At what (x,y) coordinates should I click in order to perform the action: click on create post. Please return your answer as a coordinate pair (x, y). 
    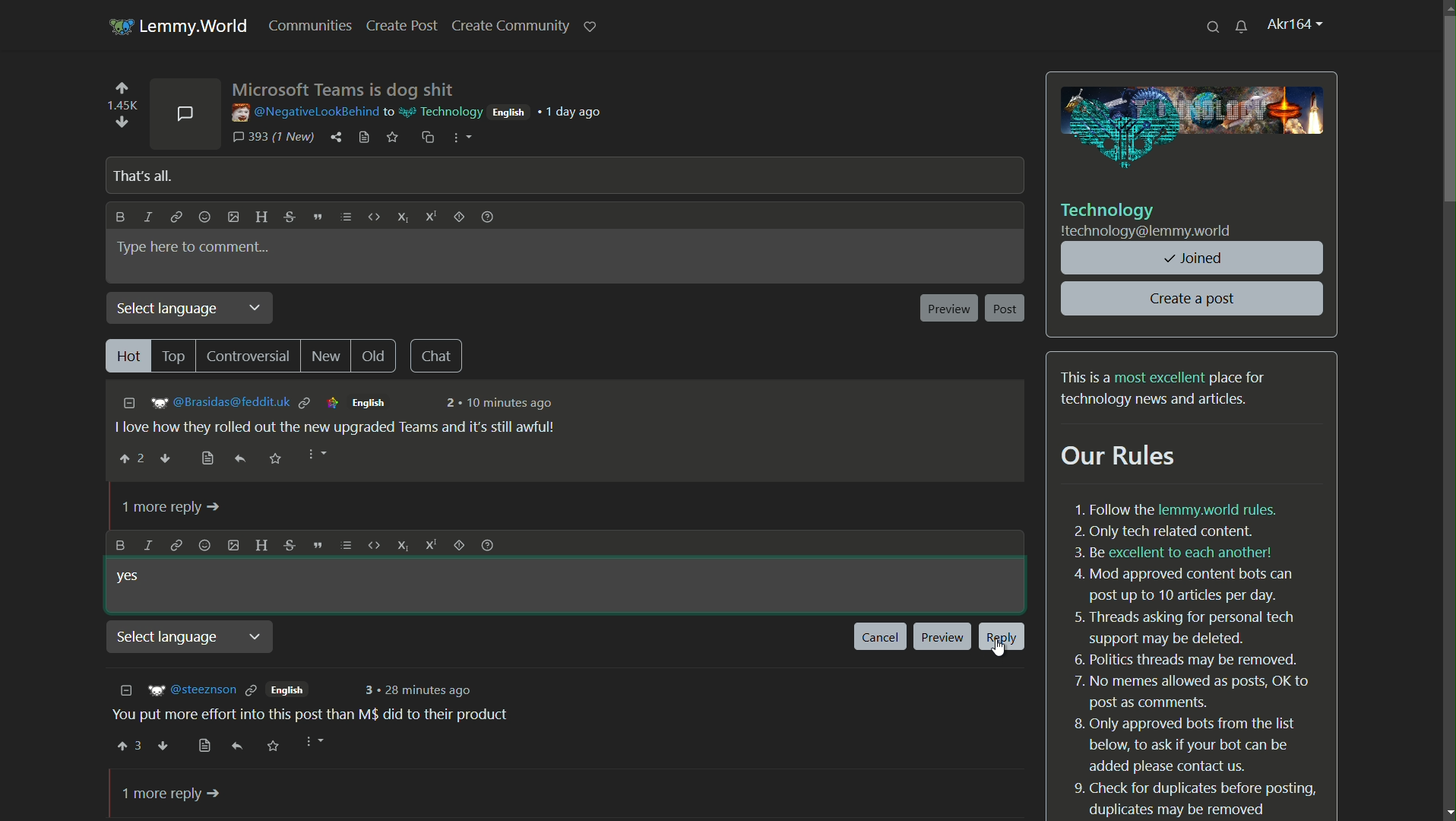
    Looking at the image, I should click on (404, 26).